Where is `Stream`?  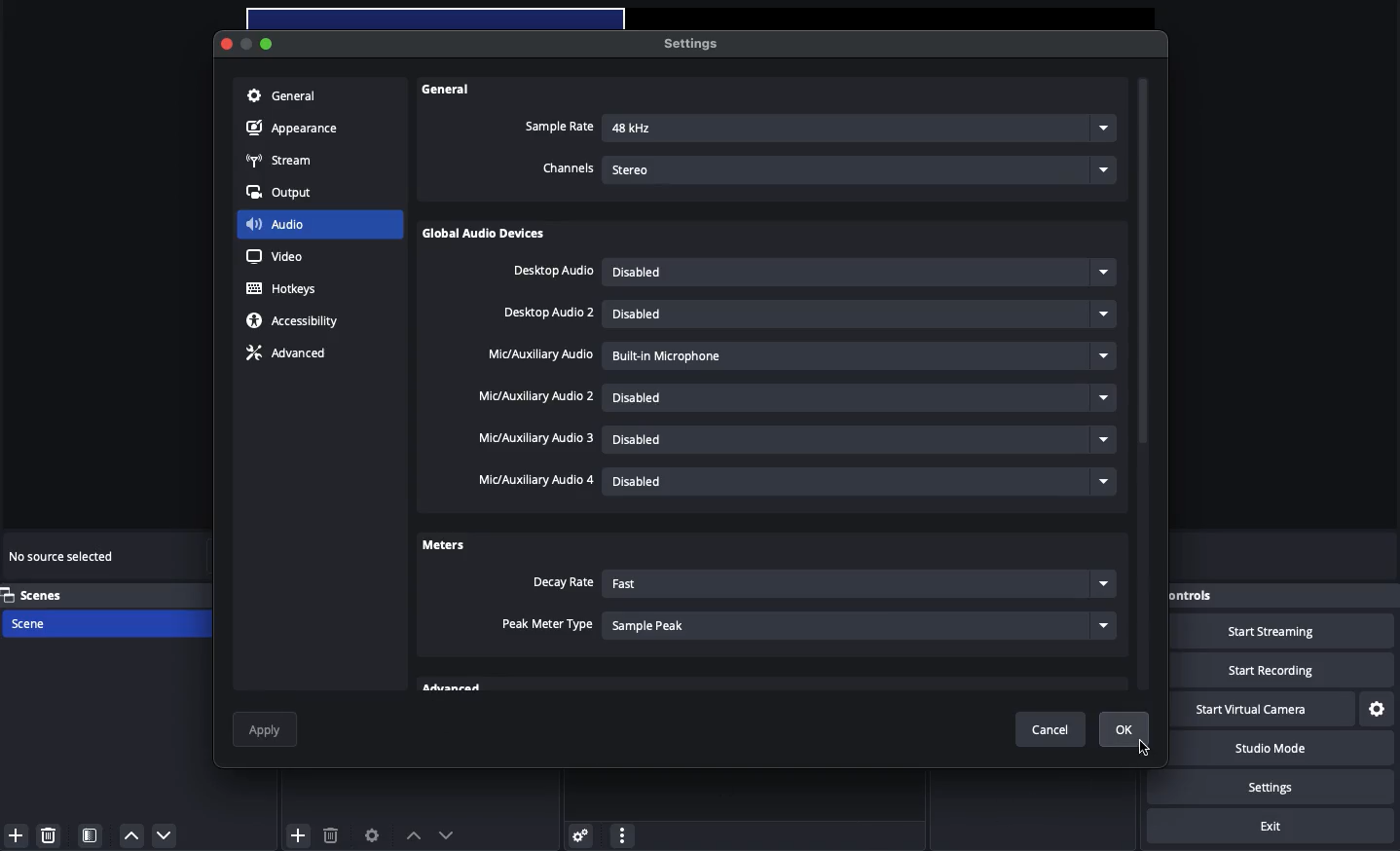
Stream is located at coordinates (280, 162).